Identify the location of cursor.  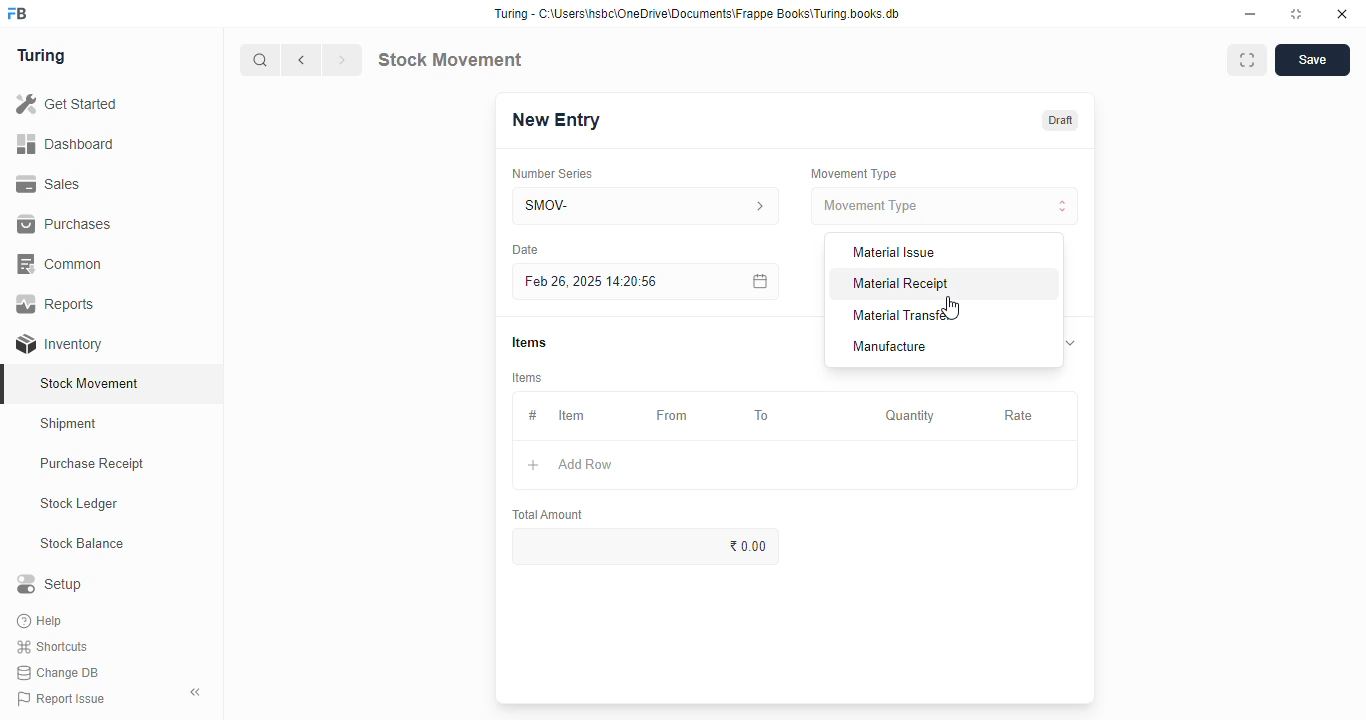
(950, 308).